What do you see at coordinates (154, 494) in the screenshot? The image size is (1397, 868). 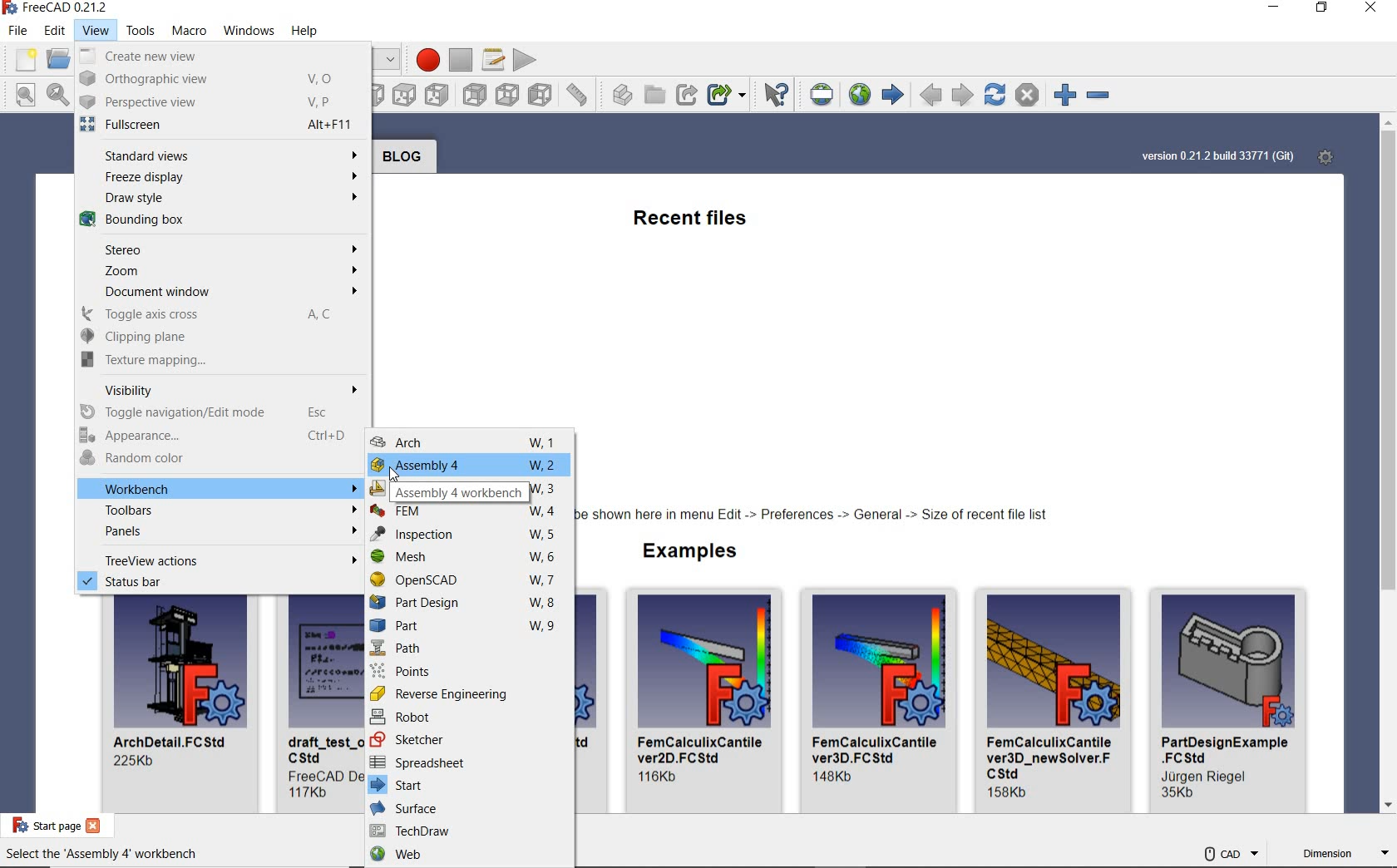 I see `cursor` at bounding box center [154, 494].